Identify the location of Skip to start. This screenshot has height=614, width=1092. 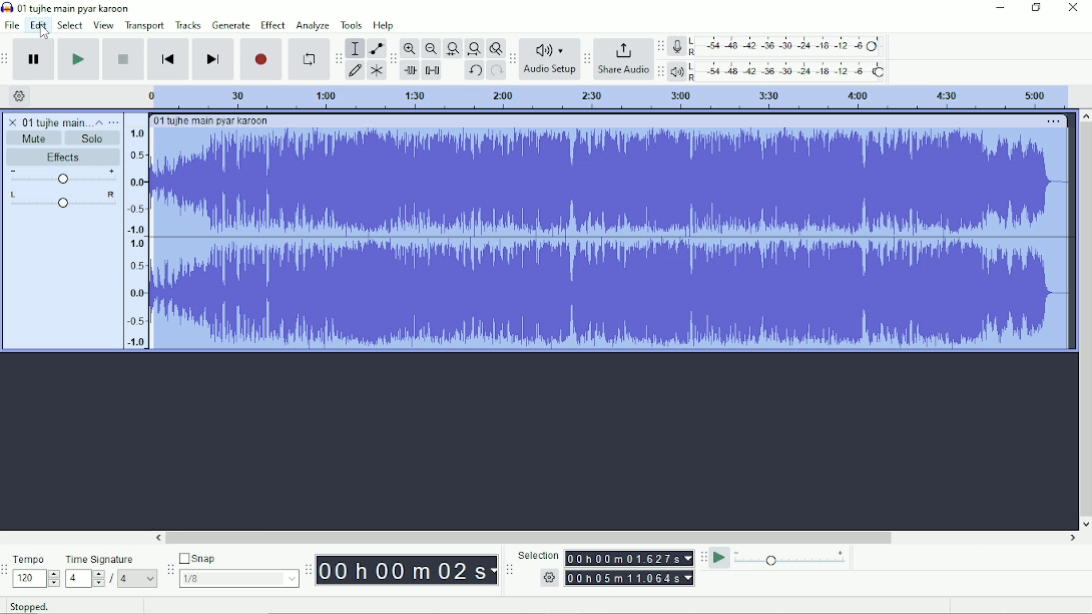
(169, 59).